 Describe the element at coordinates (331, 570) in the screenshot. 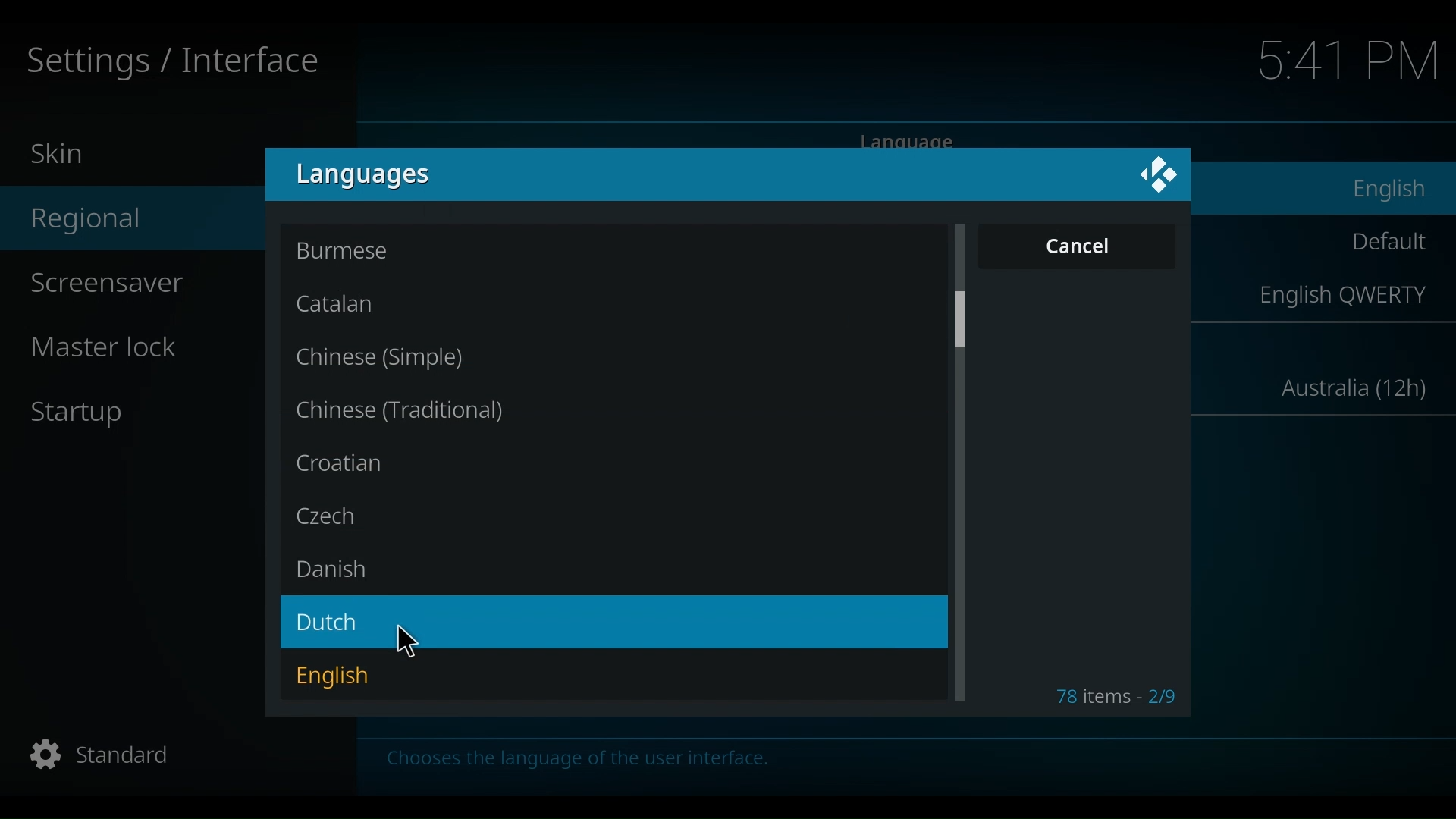

I see `Danish` at that location.